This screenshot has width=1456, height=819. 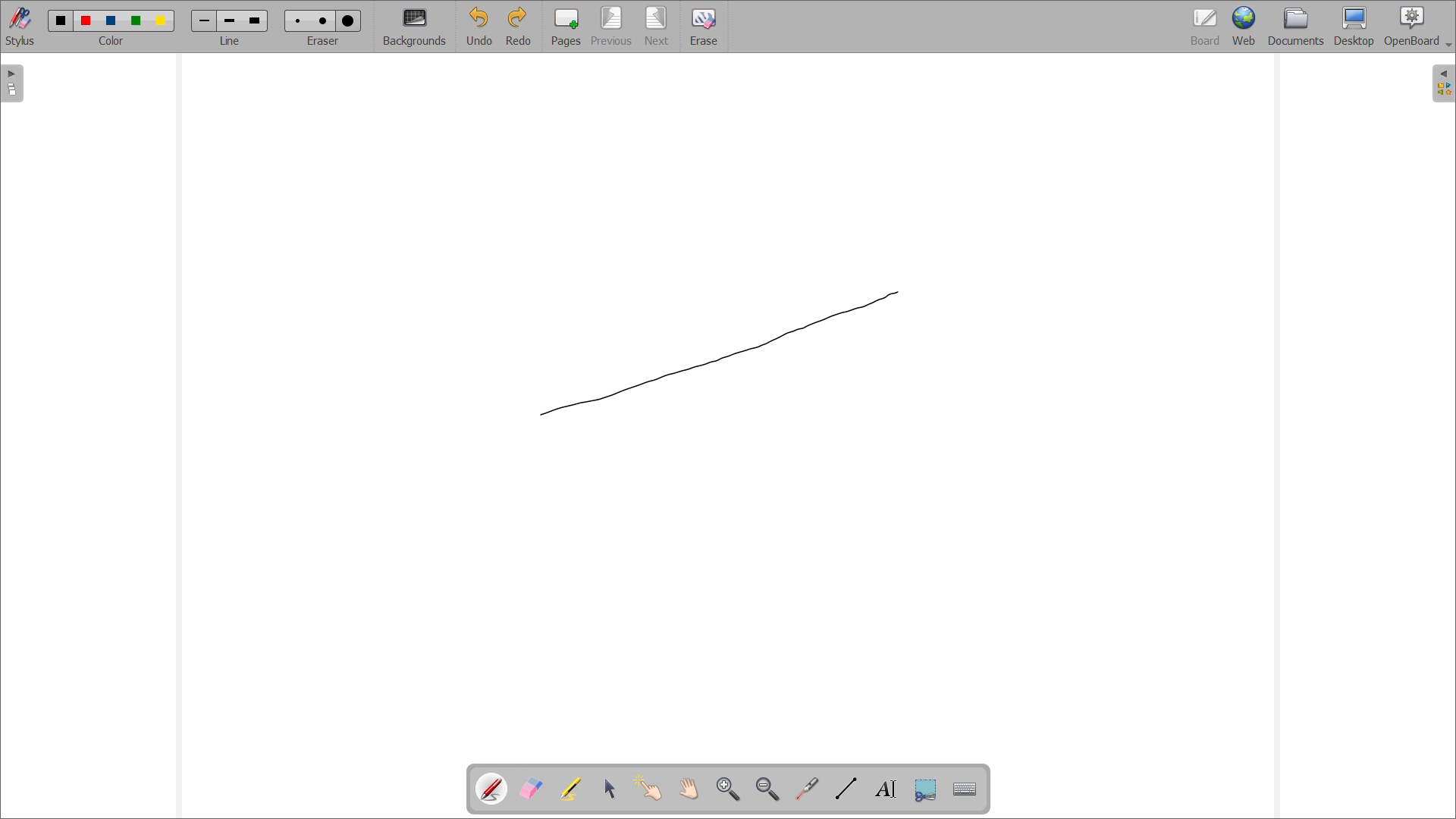 What do you see at coordinates (900, 293) in the screenshot?
I see `cursor` at bounding box center [900, 293].